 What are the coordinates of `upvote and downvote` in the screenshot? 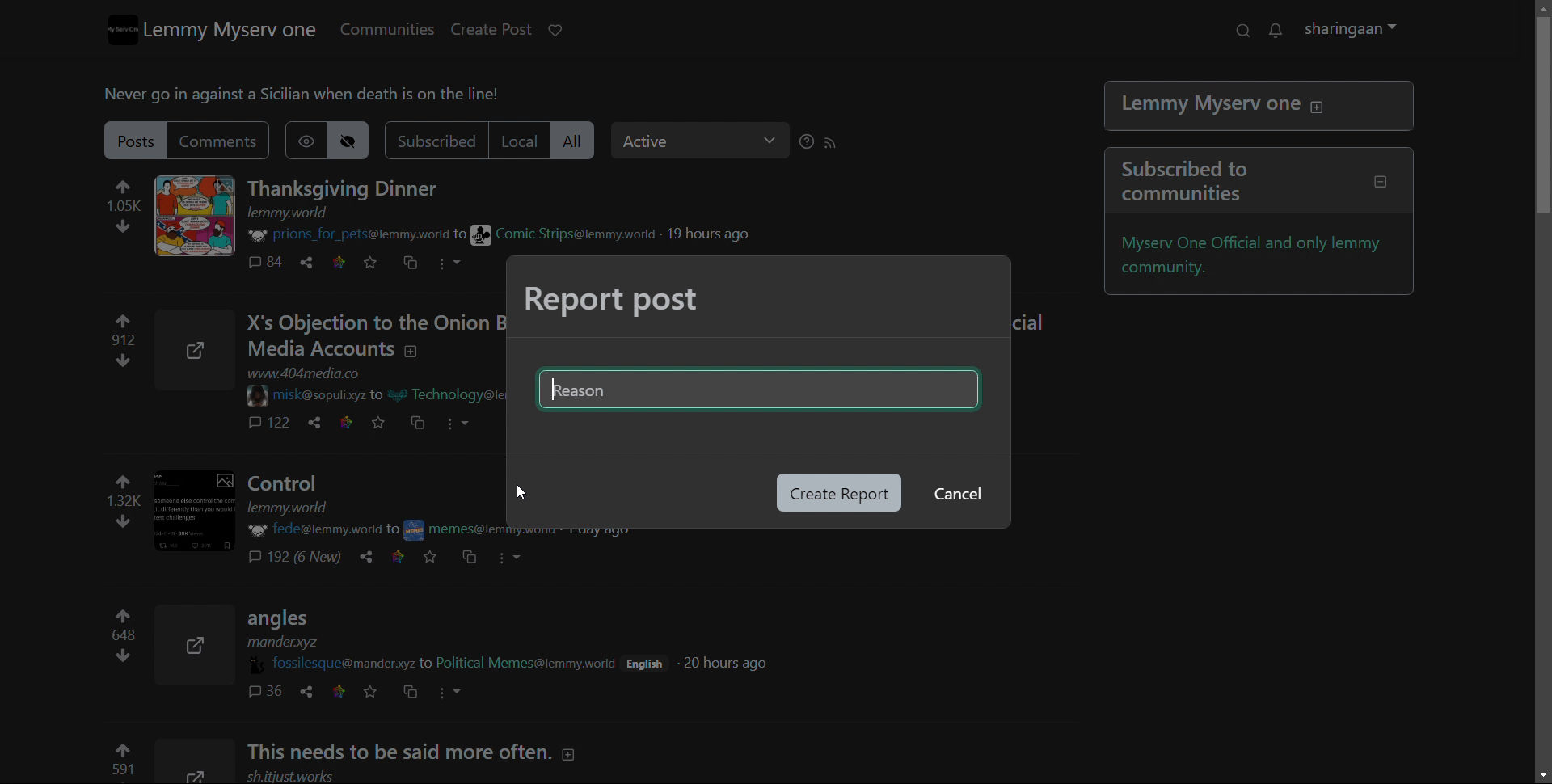 It's located at (133, 209).